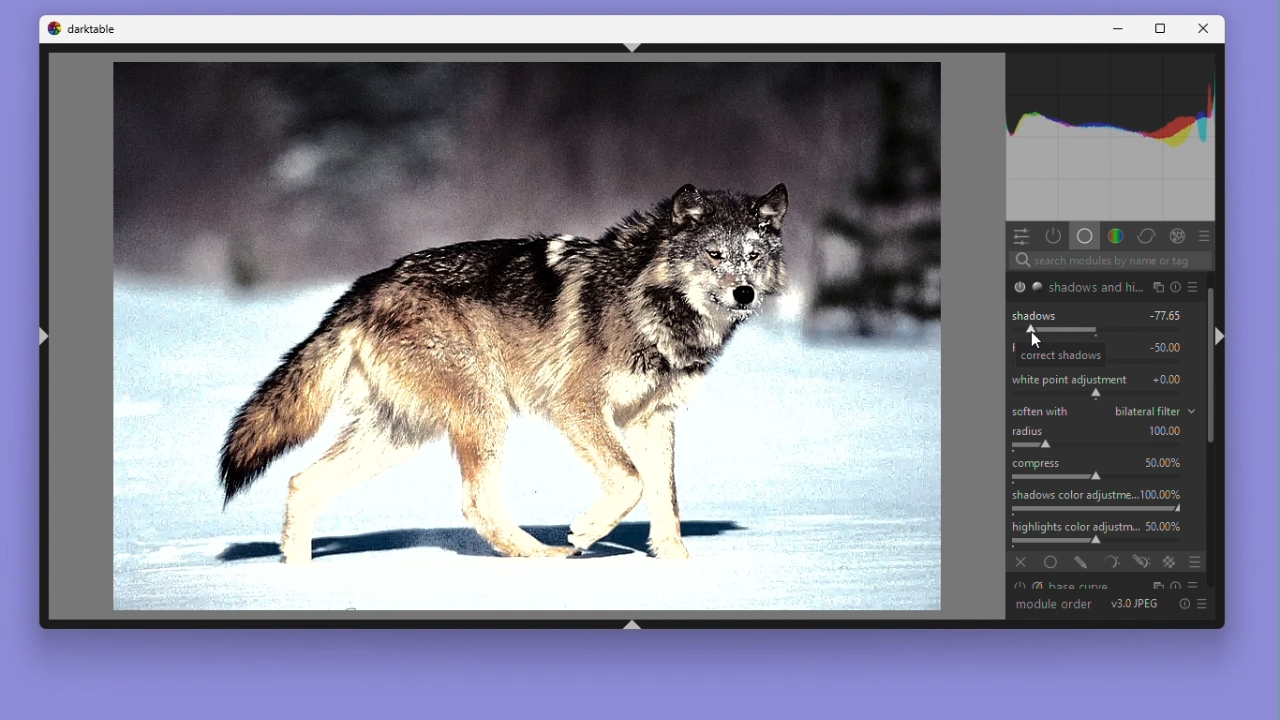  I want to click on adjust saturation of shadows, so click(1097, 508).